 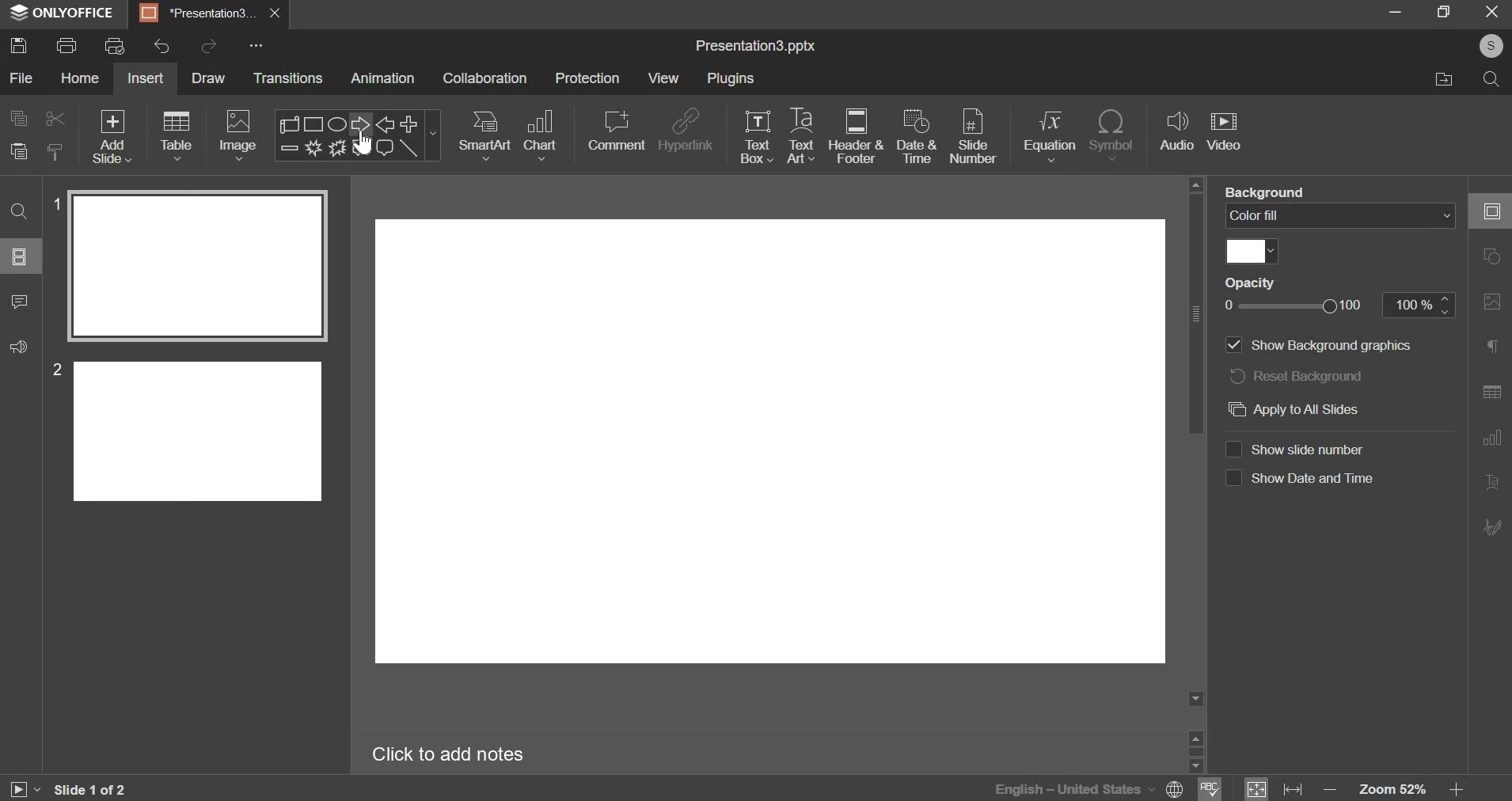 I want to click on rectangular callout, so click(x=360, y=148).